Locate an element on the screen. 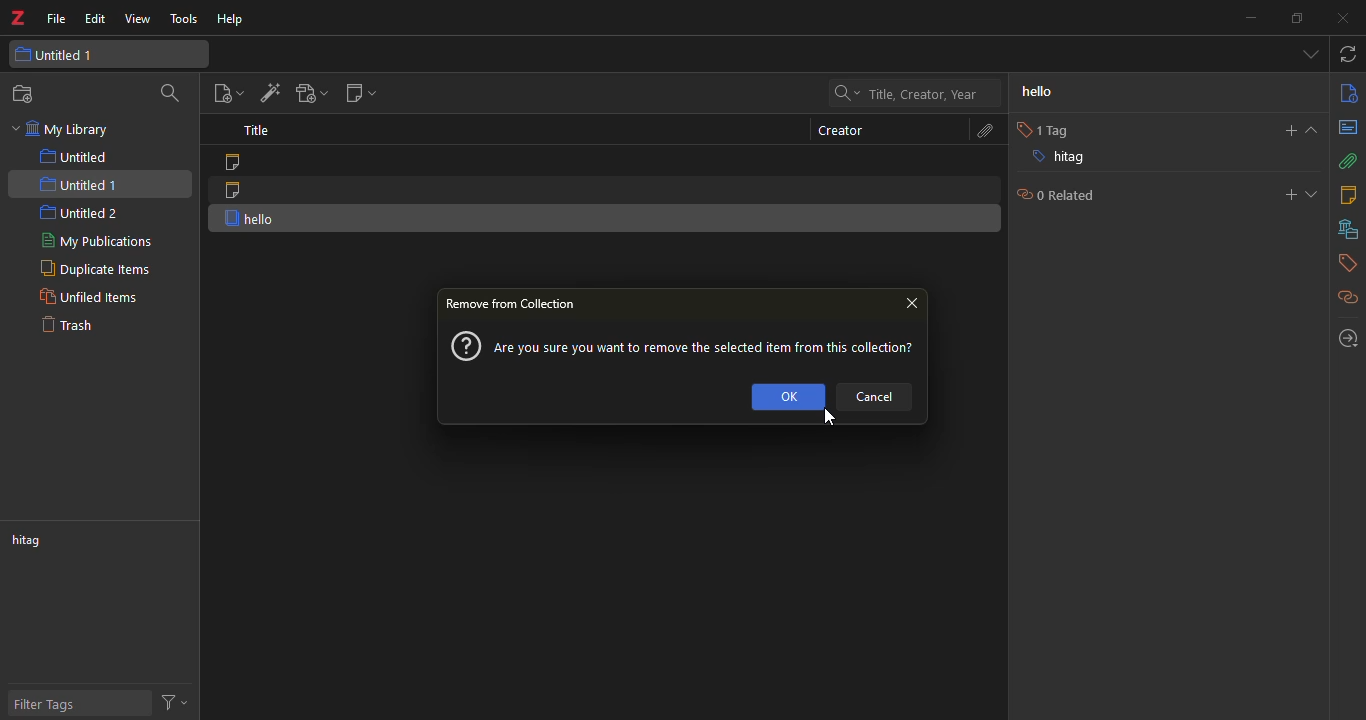  cancel is located at coordinates (879, 395).